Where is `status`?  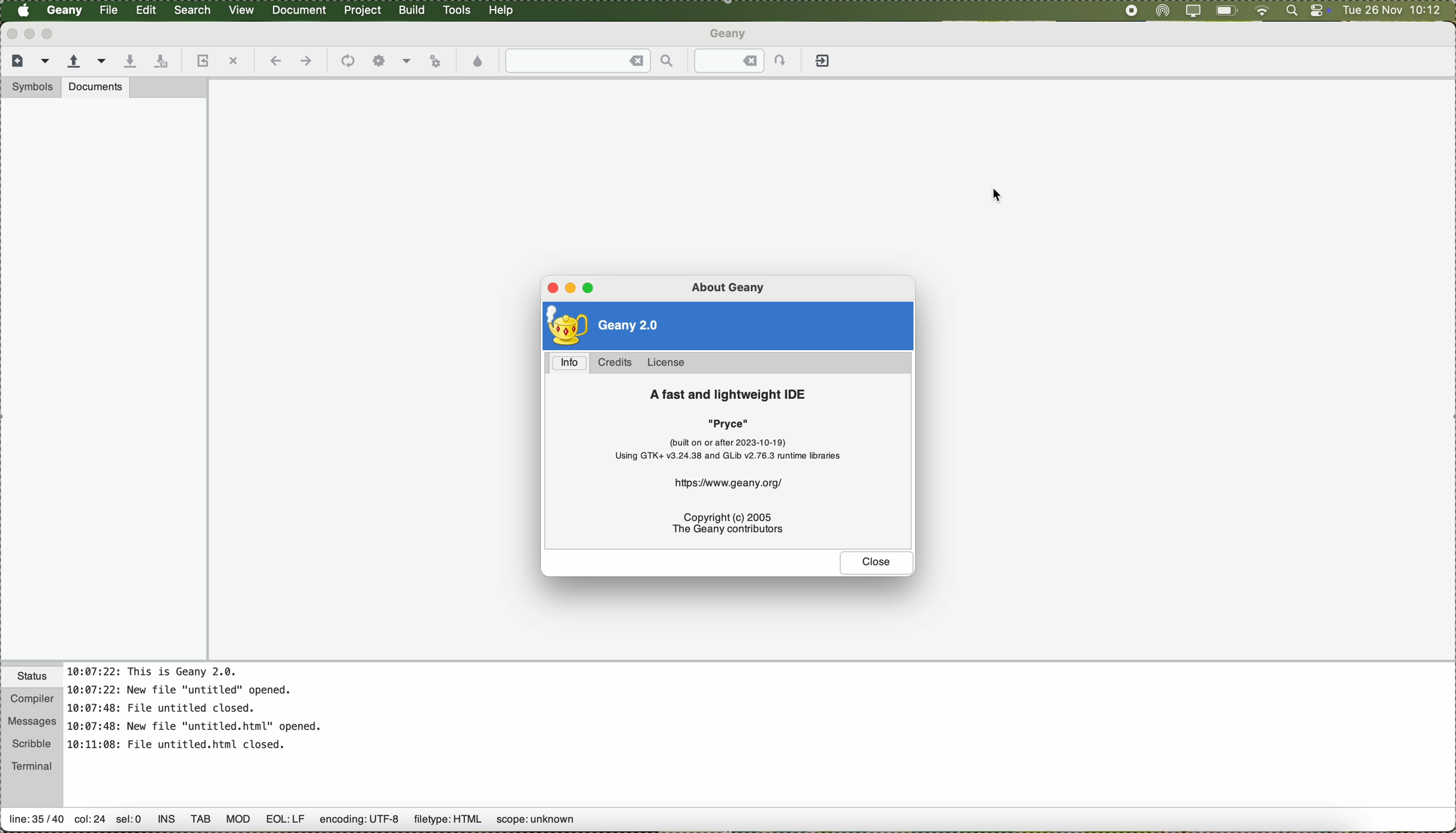
status is located at coordinates (29, 675).